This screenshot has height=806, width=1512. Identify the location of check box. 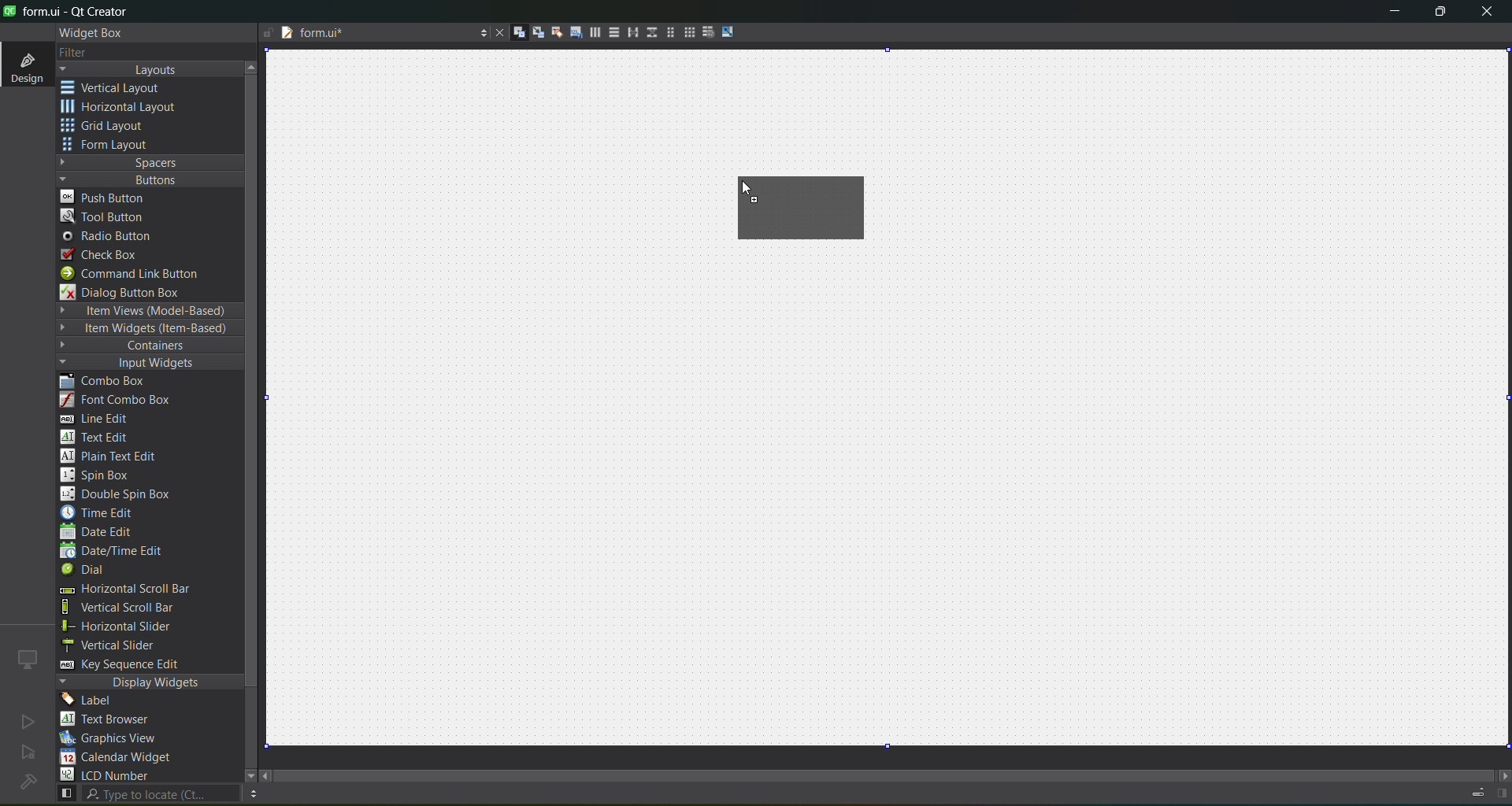
(107, 255).